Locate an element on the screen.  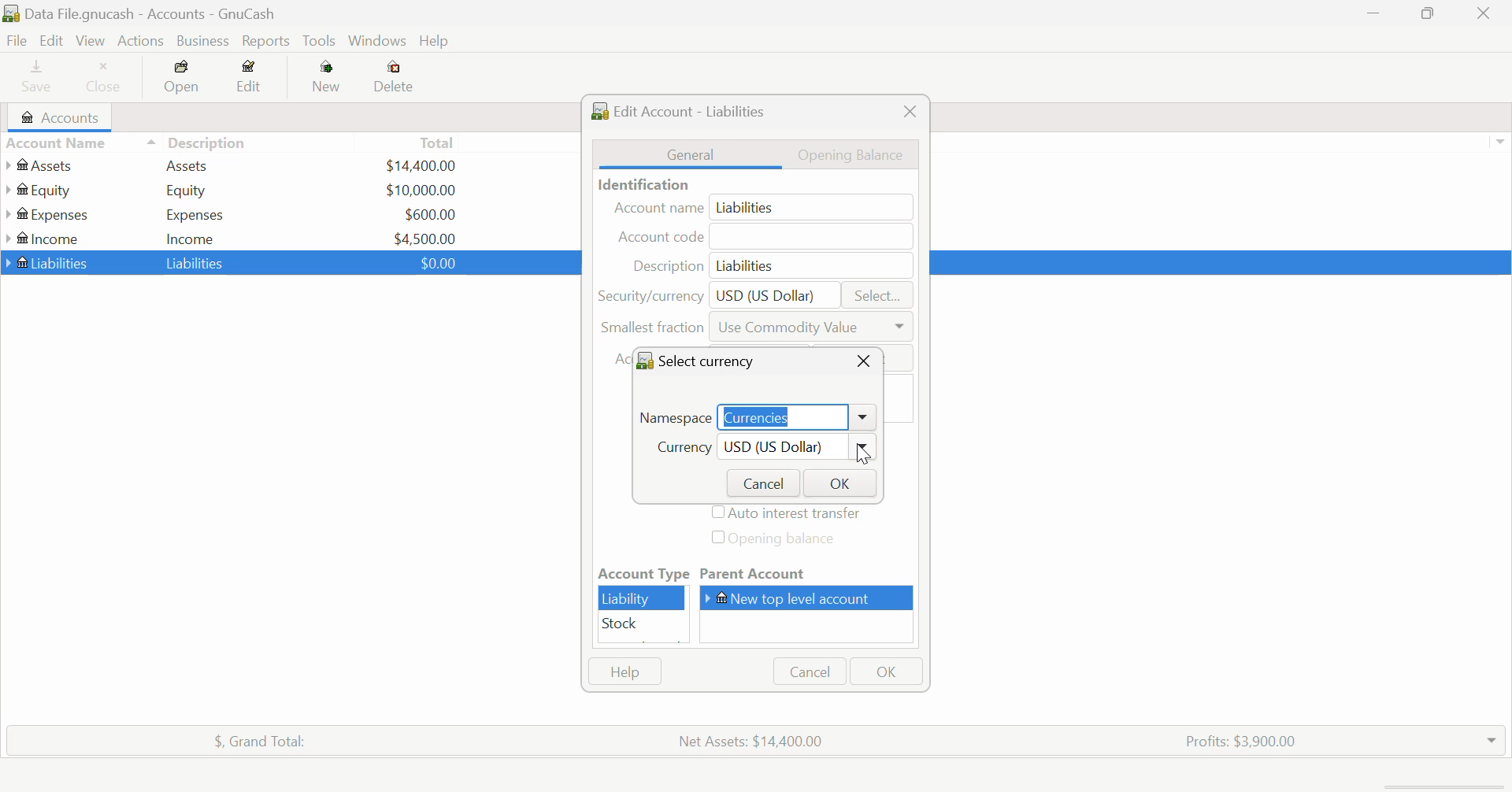
USD is located at coordinates (421, 190).